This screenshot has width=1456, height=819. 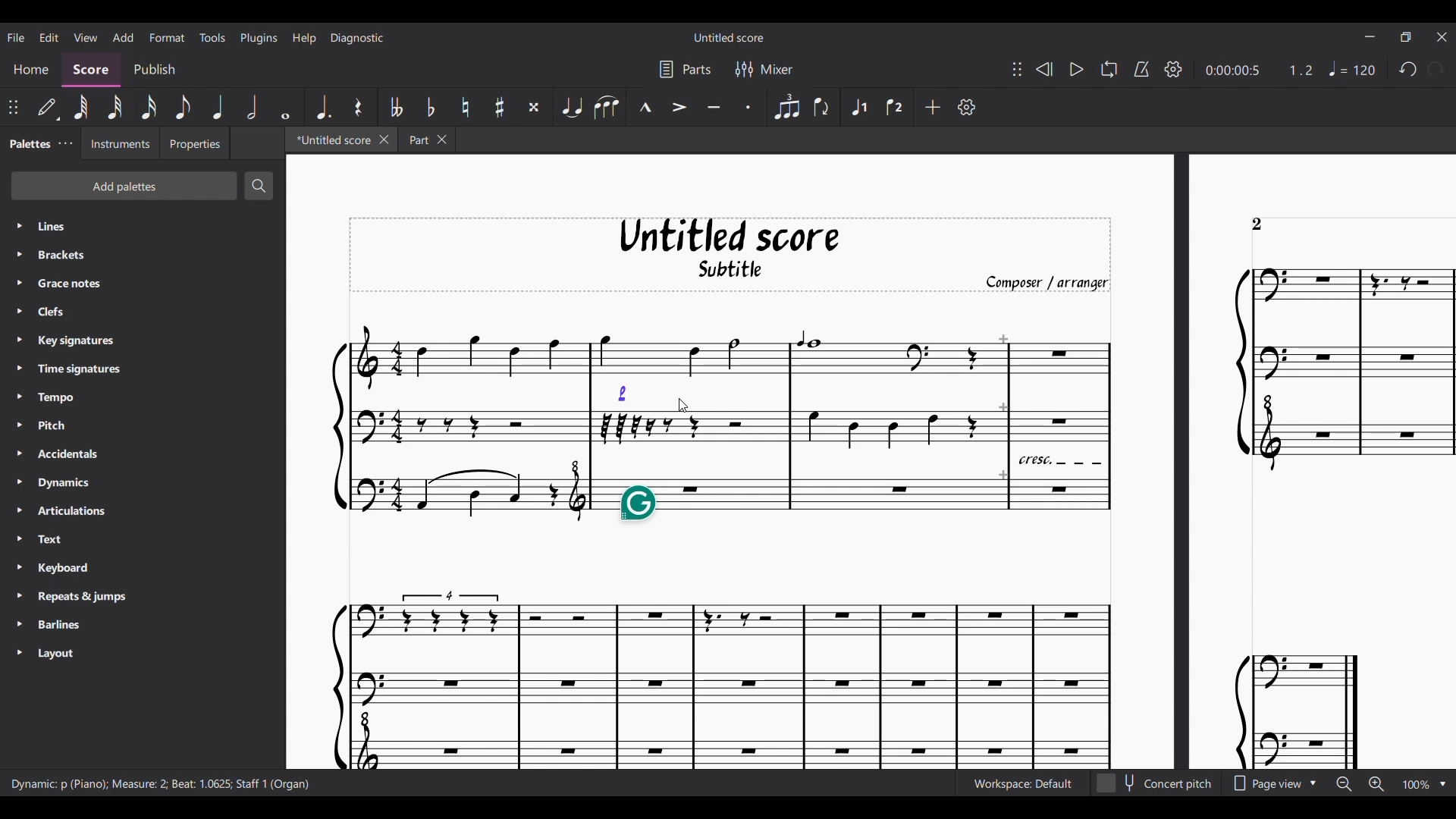 I want to click on Palettes, current tab, so click(x=29, y=143).